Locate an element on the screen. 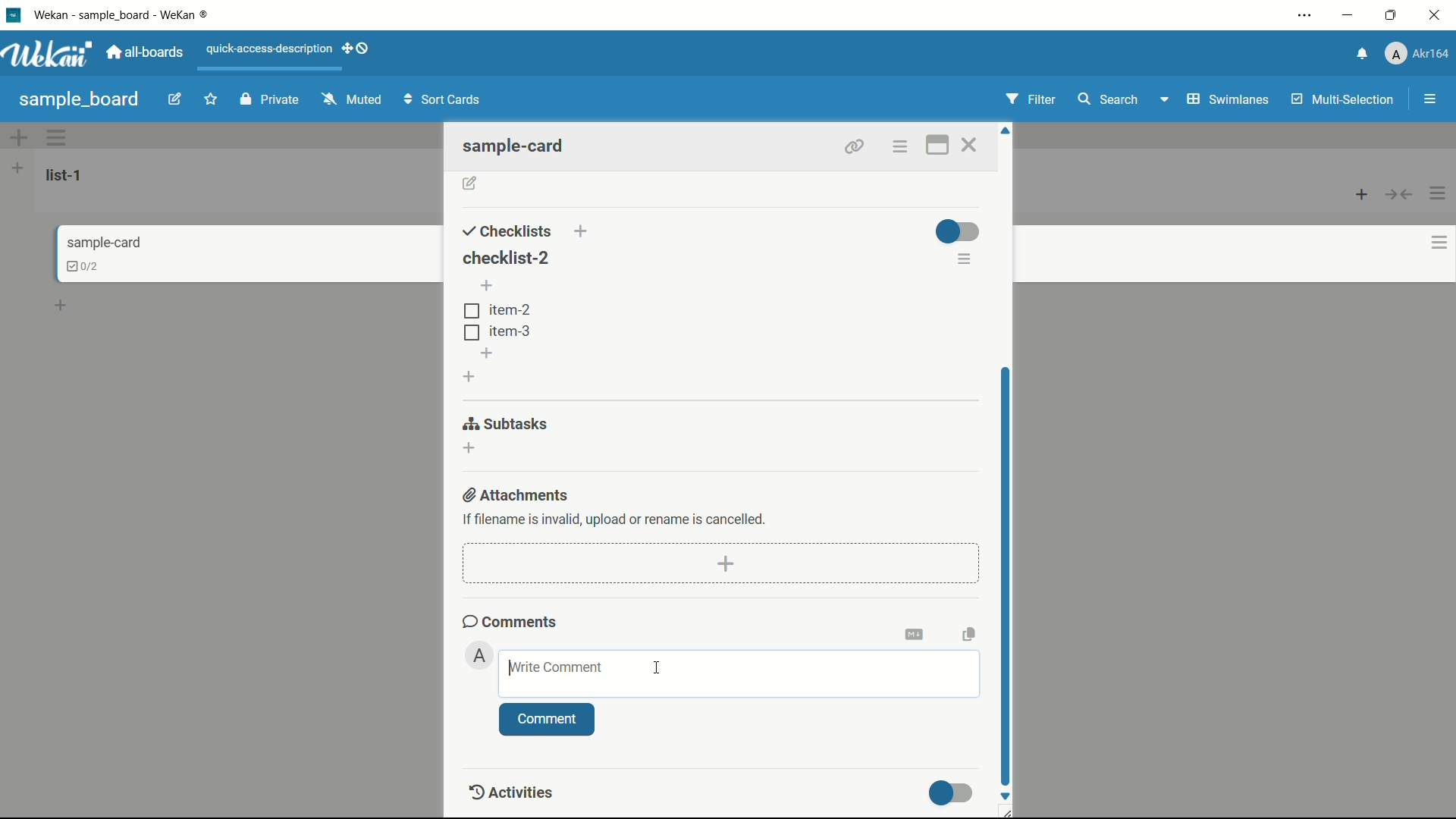 The height and width of the screenshot is (819, 1456). cursor is located at coordinates (657, 667).